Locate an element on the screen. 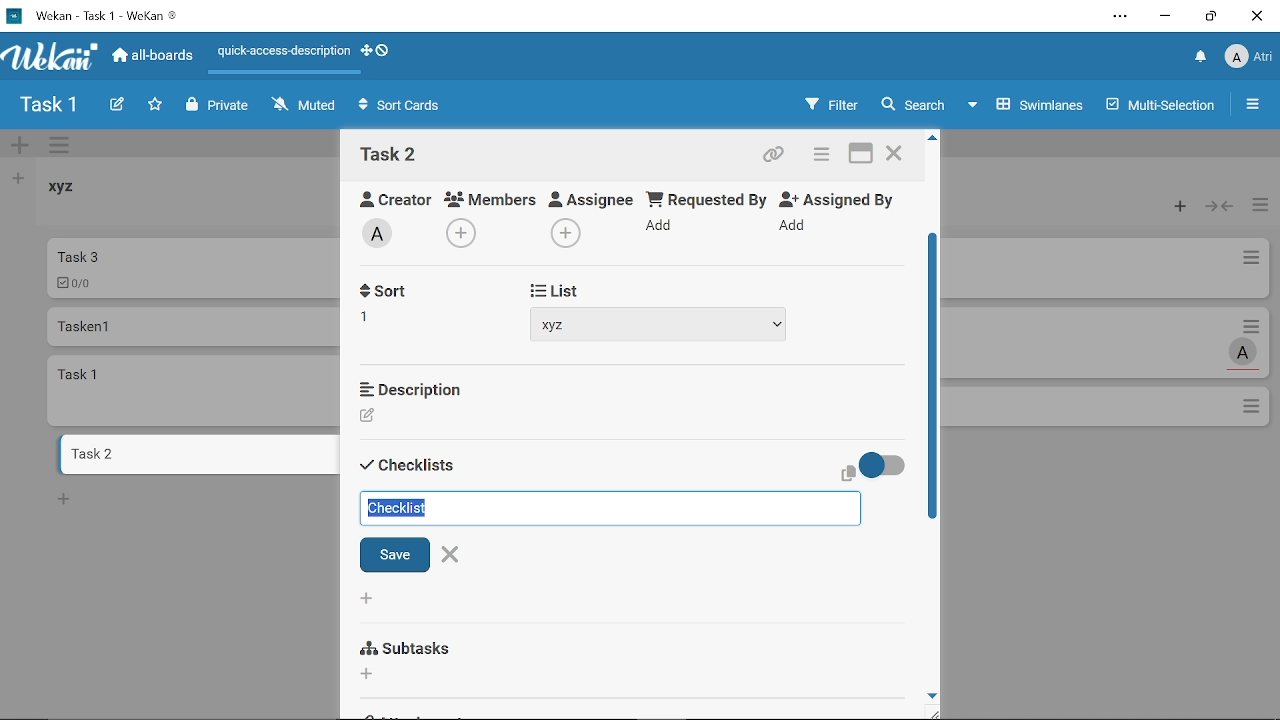  Assigned By is located at coordinates (844, 198).